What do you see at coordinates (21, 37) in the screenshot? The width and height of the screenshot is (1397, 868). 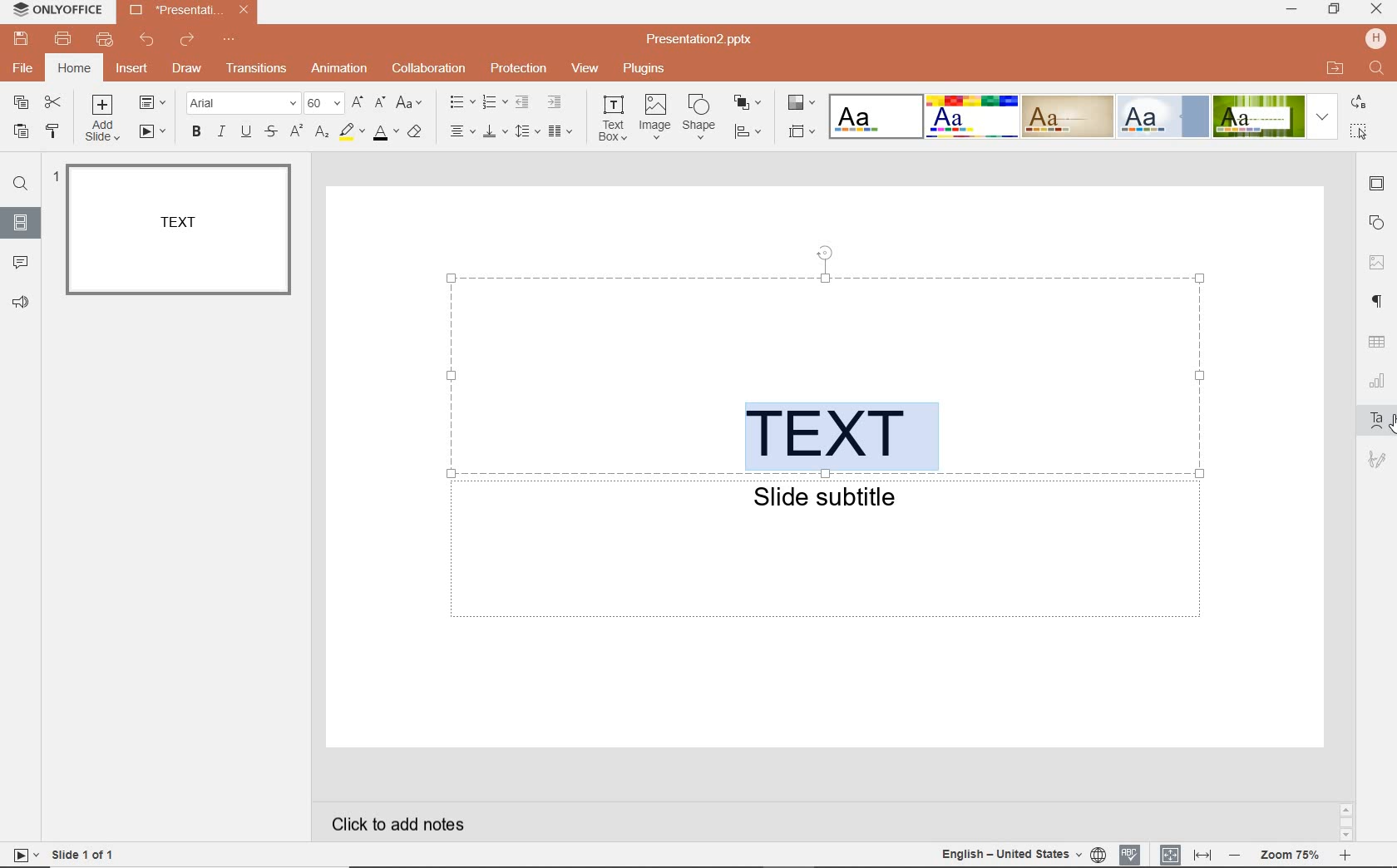 I see `SAVE` at bounding box center [21, 37].